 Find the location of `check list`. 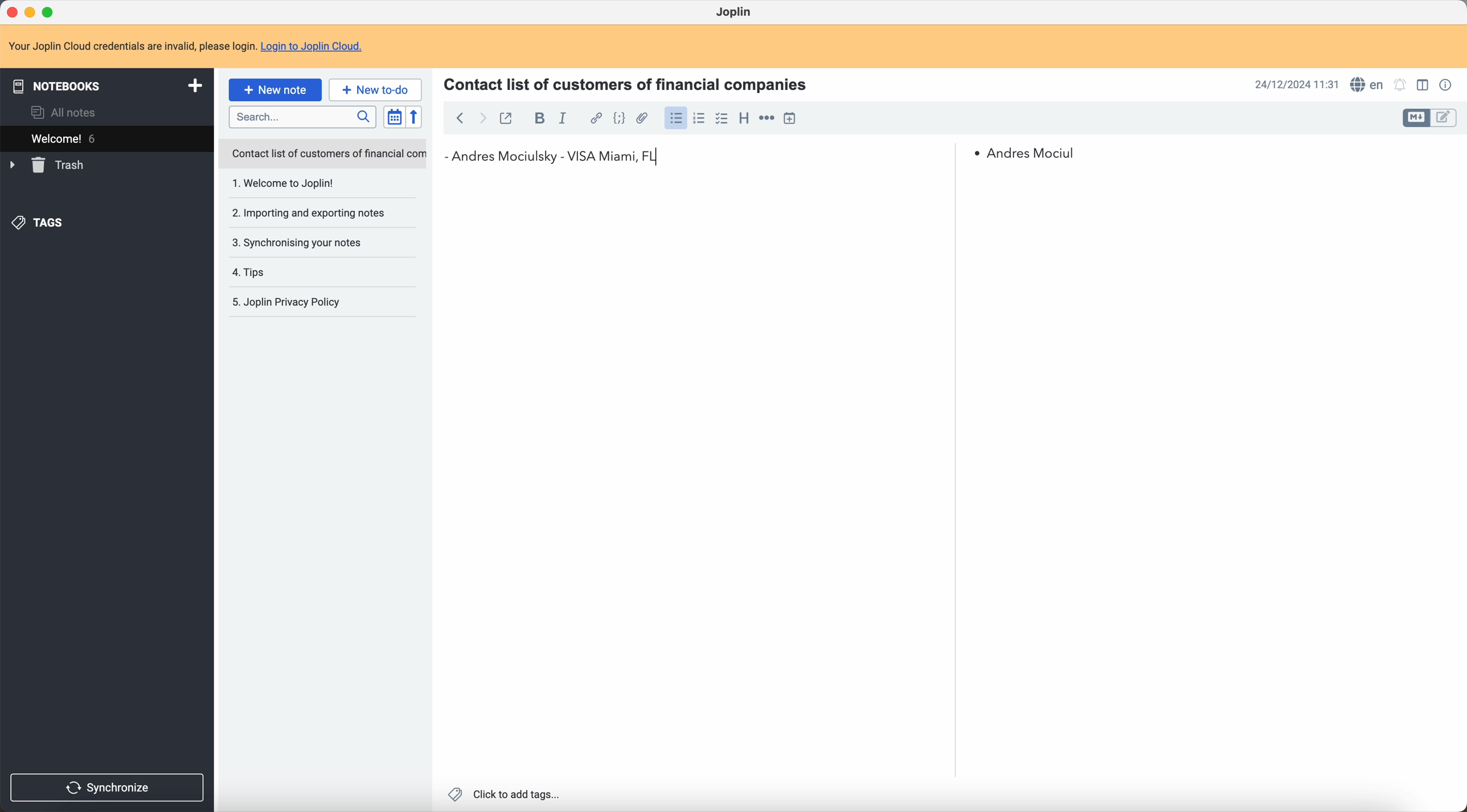

check list is located at coordinates (722, 119).